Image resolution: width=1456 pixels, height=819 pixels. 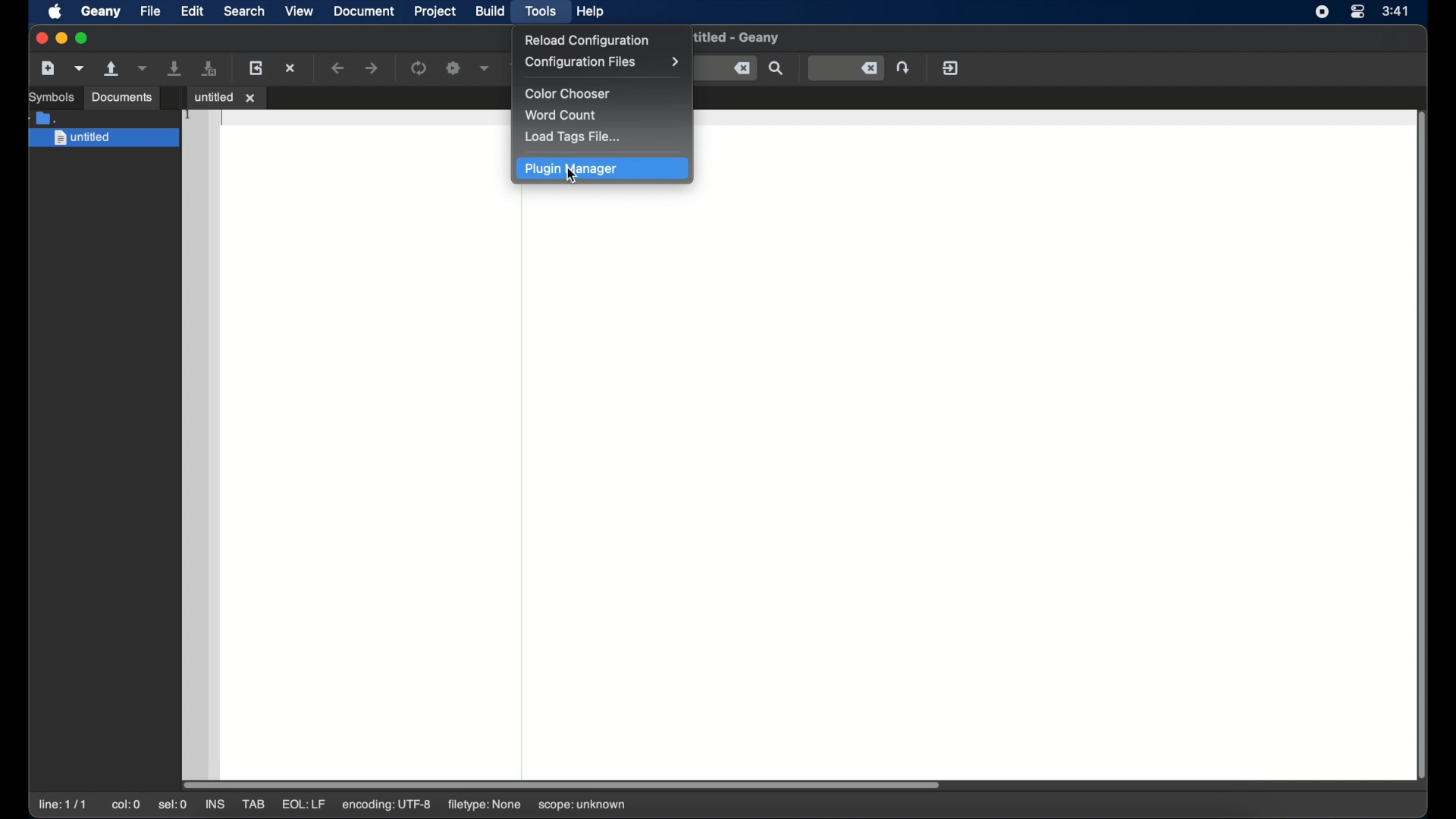 What do you see at coordinates (563, 115) in the screenshot?
I see `word count` at bounding box center [563, 115].